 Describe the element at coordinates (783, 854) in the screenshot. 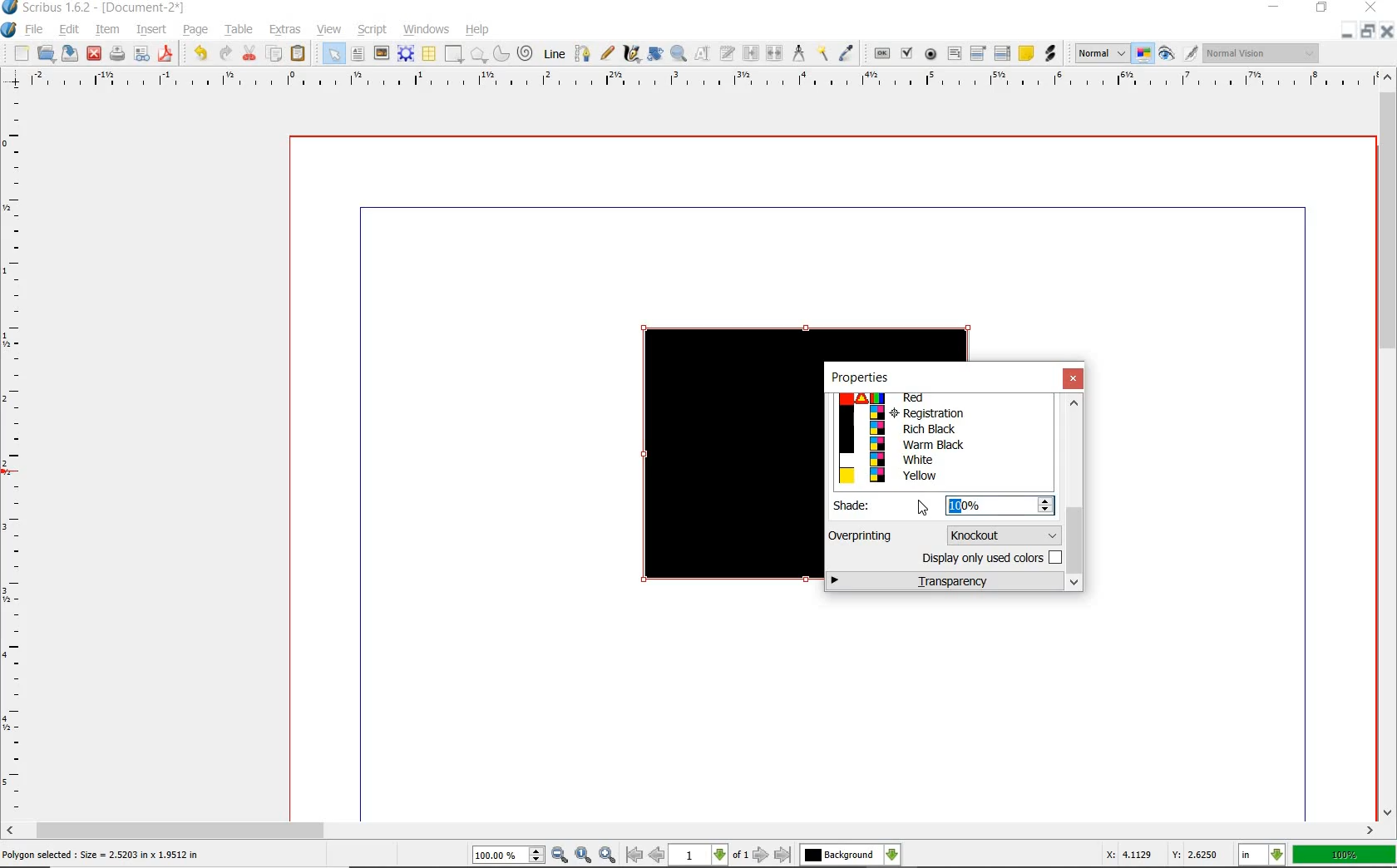

I see `go to last page` at that location.